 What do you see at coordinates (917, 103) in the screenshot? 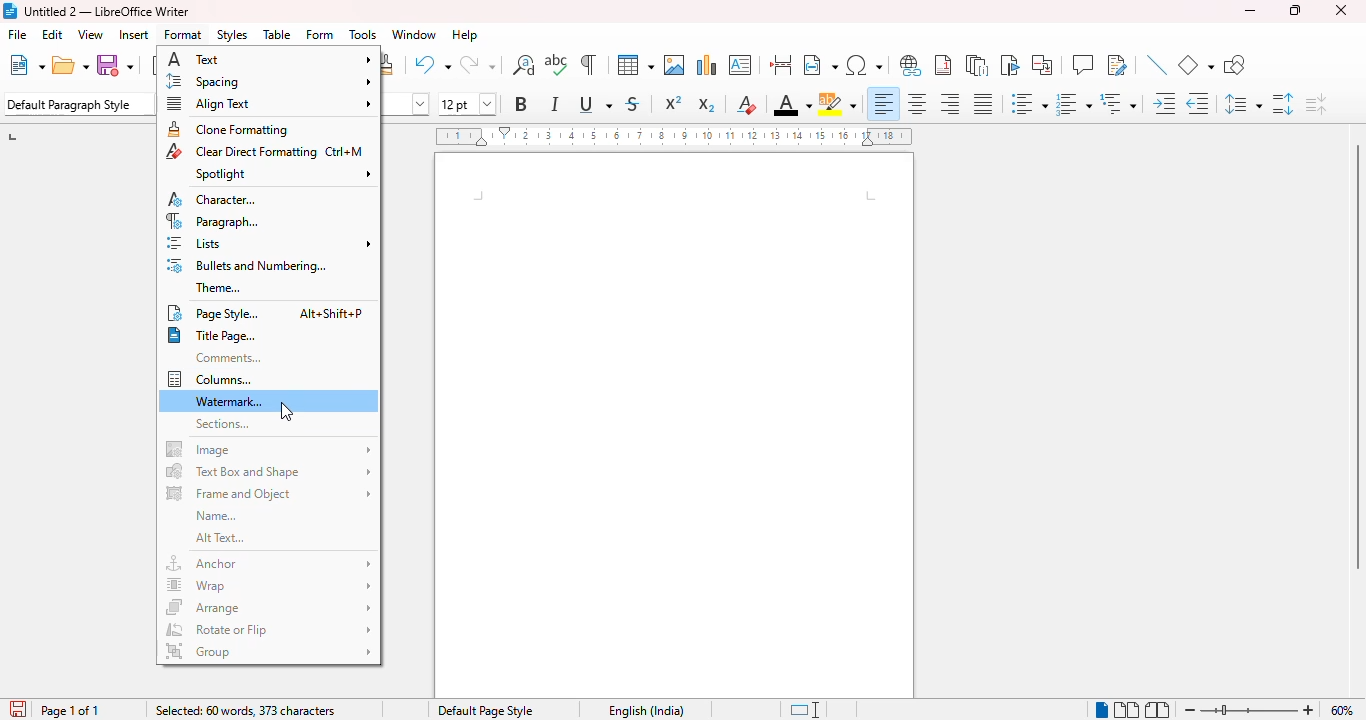
I see `align center` at bounding box center [917, 103].